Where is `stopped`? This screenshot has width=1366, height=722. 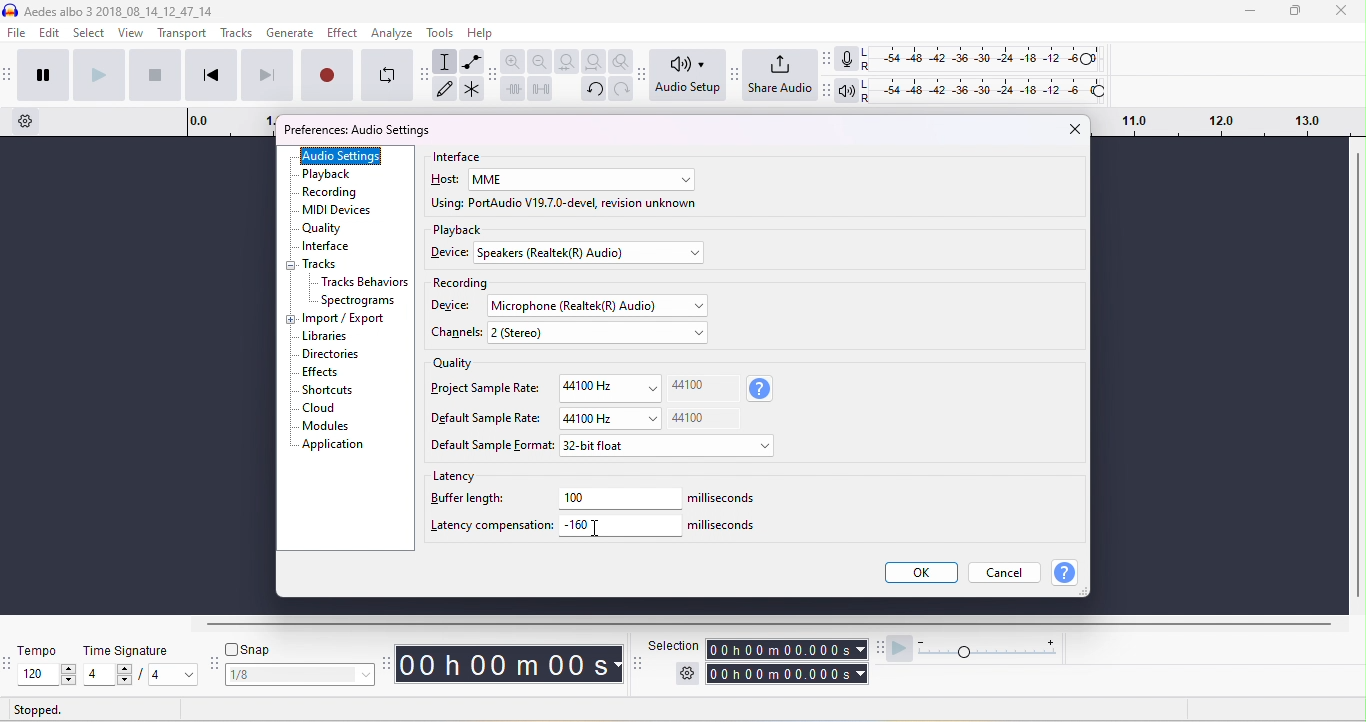 stopped is located at coordinates (39, 711).